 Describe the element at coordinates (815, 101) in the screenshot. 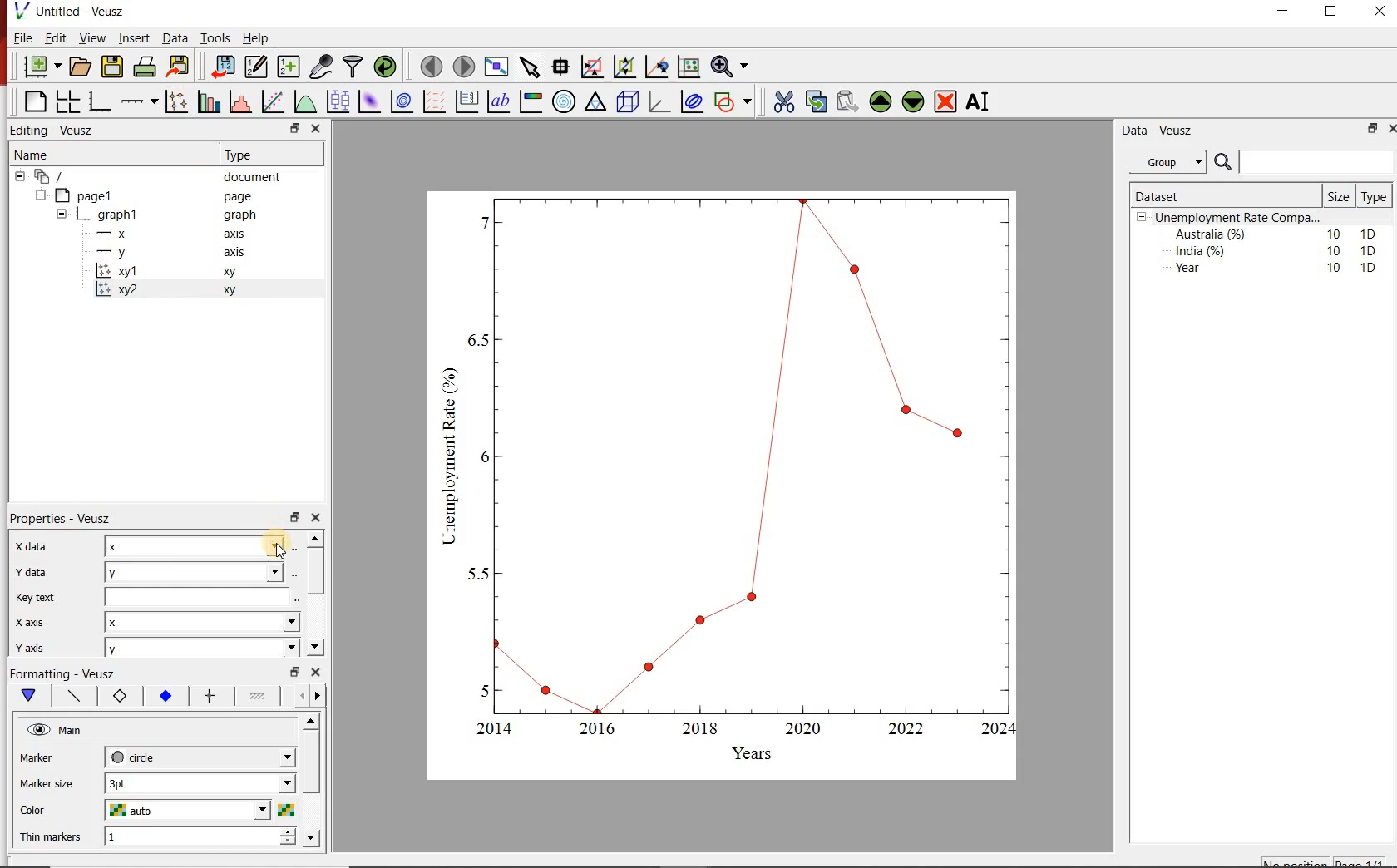

I see `copy the widgets` at that location.